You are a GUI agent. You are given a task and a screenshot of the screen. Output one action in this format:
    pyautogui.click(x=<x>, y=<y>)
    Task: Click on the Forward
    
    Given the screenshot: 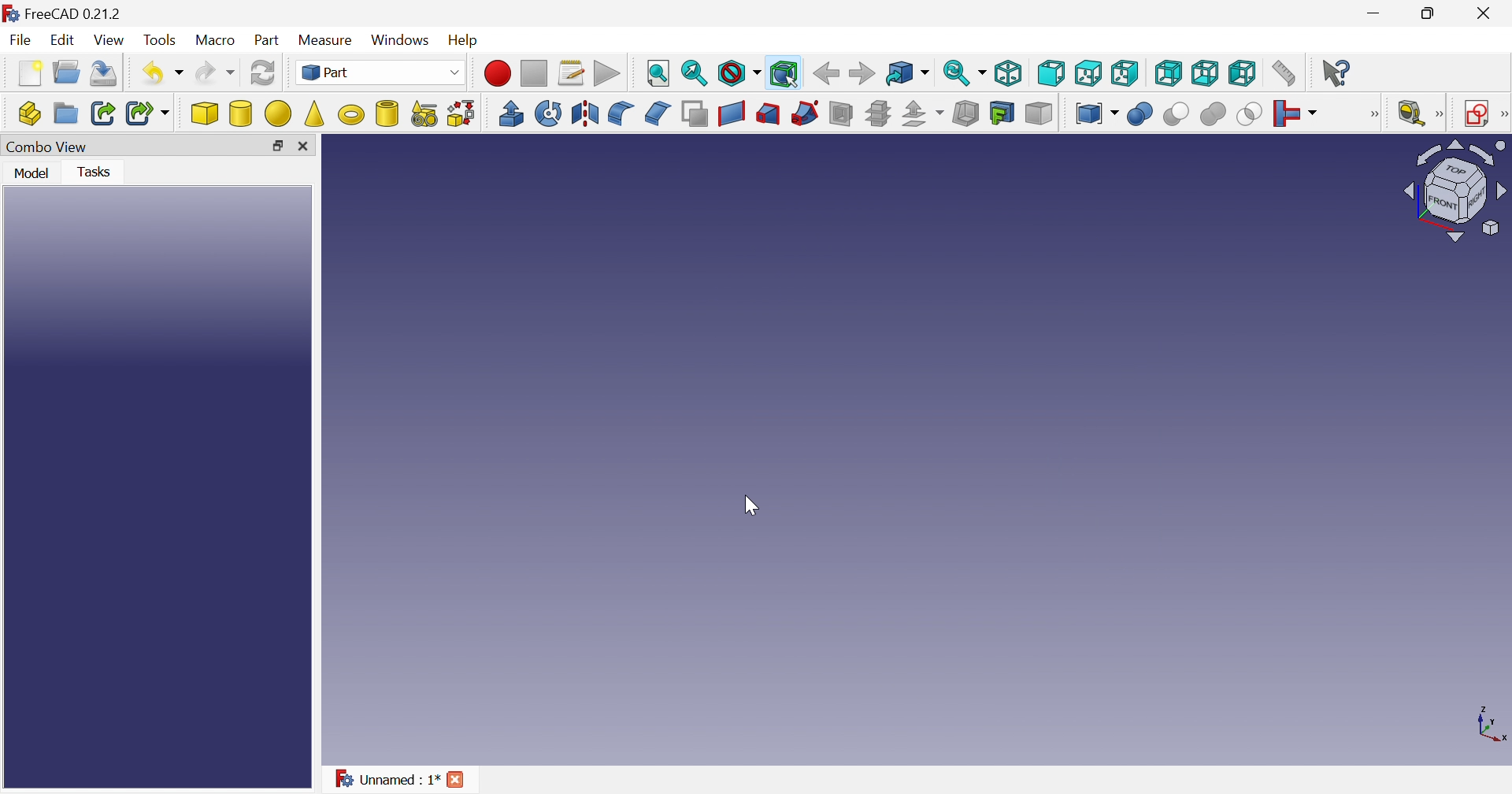 What is the action you would take?
    pyautogui.click(x=864, y=72)
    